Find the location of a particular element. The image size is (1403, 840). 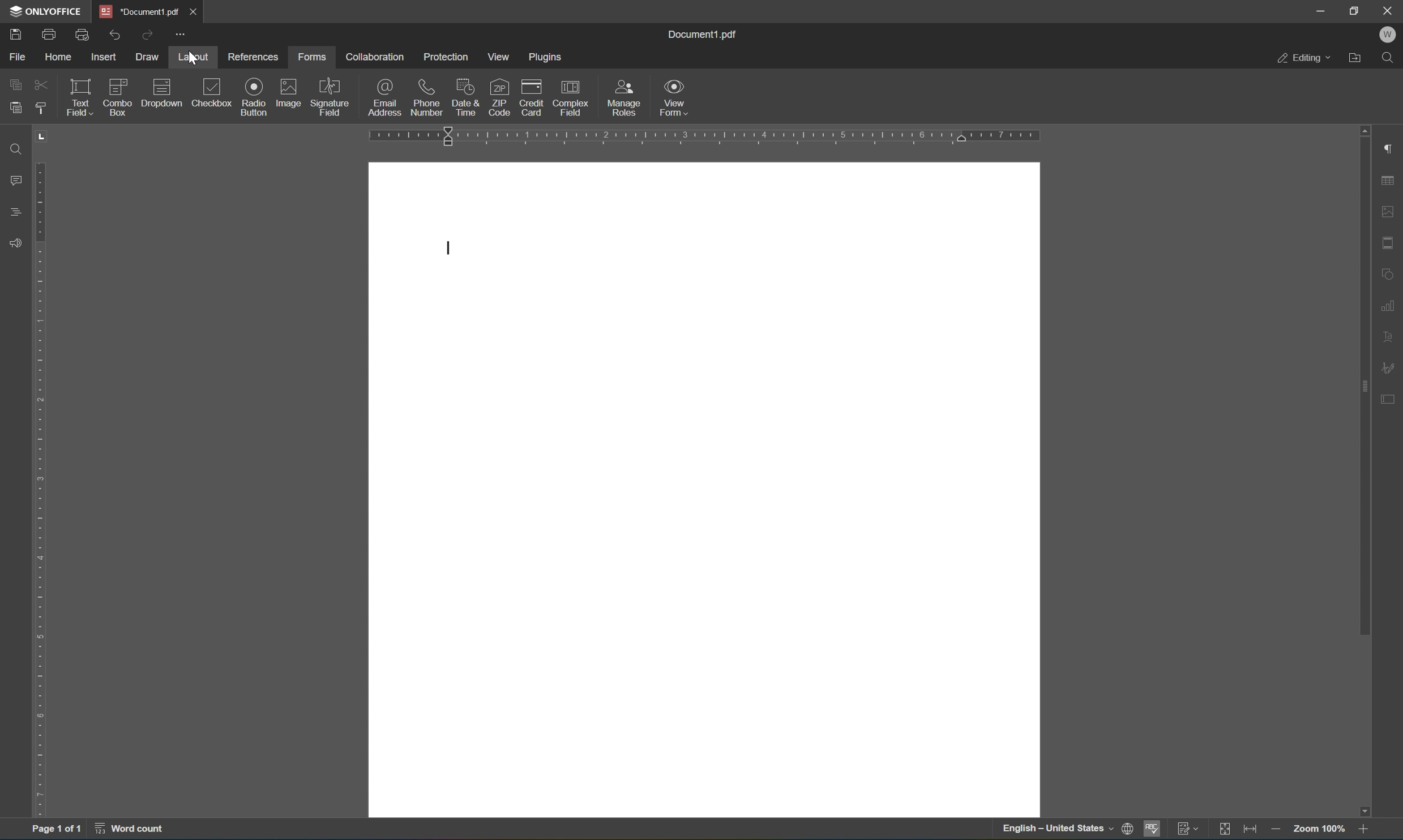

paragraph settings is located at coordinates (1391, 148).